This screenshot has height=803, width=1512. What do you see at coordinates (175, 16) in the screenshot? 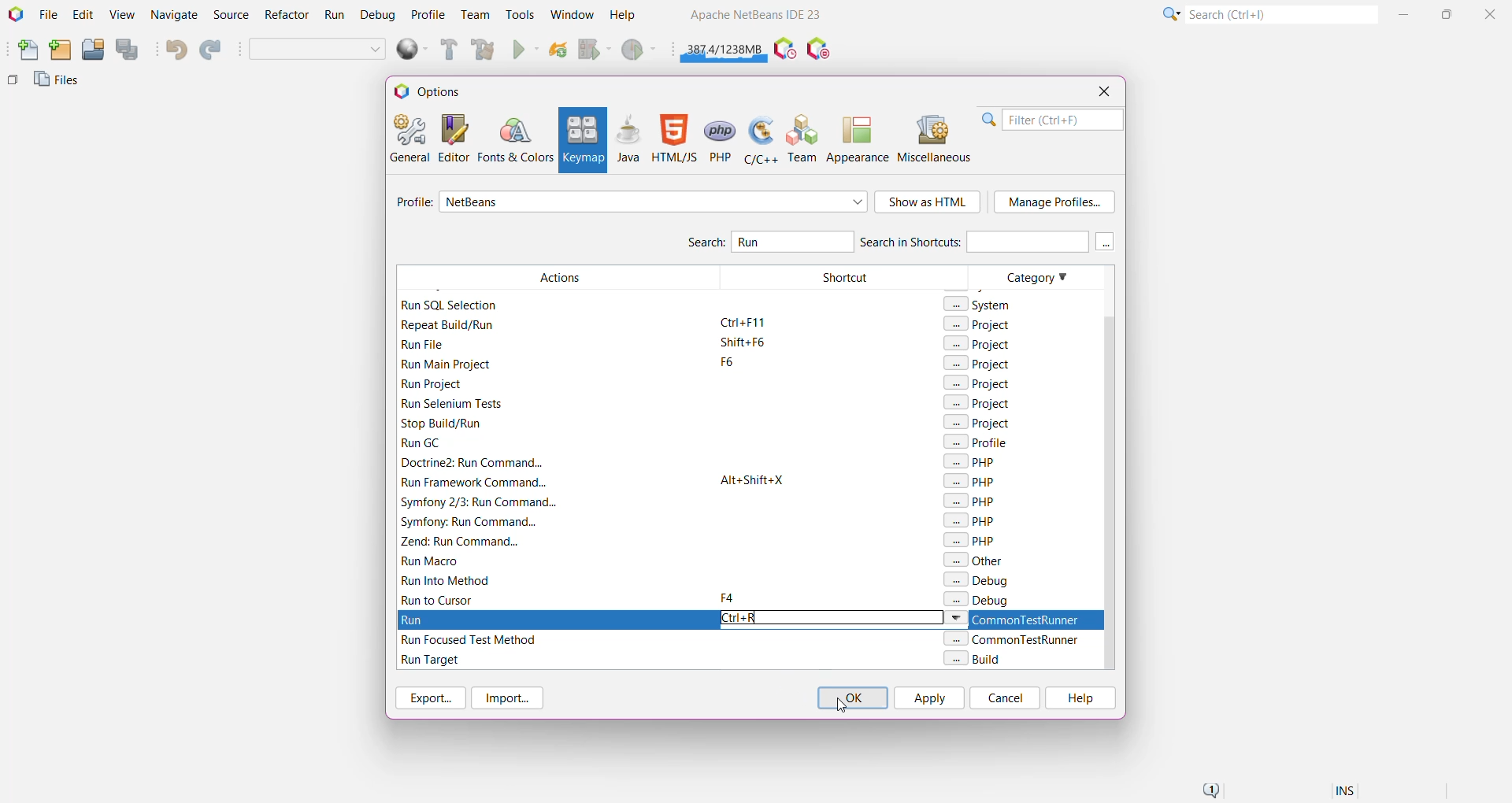
I see `Navigate` at bounding box center [175, 16].